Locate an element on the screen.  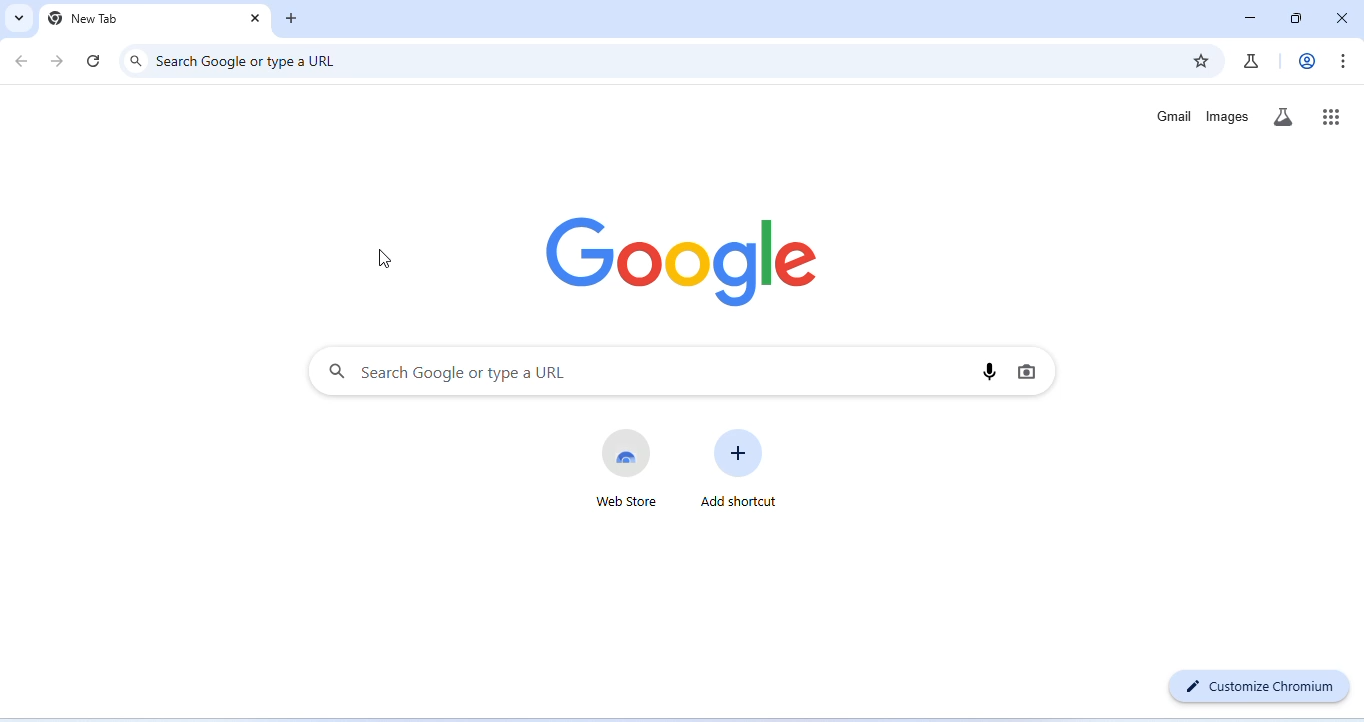
search google or type a URL is located at coordinates (249, 61).